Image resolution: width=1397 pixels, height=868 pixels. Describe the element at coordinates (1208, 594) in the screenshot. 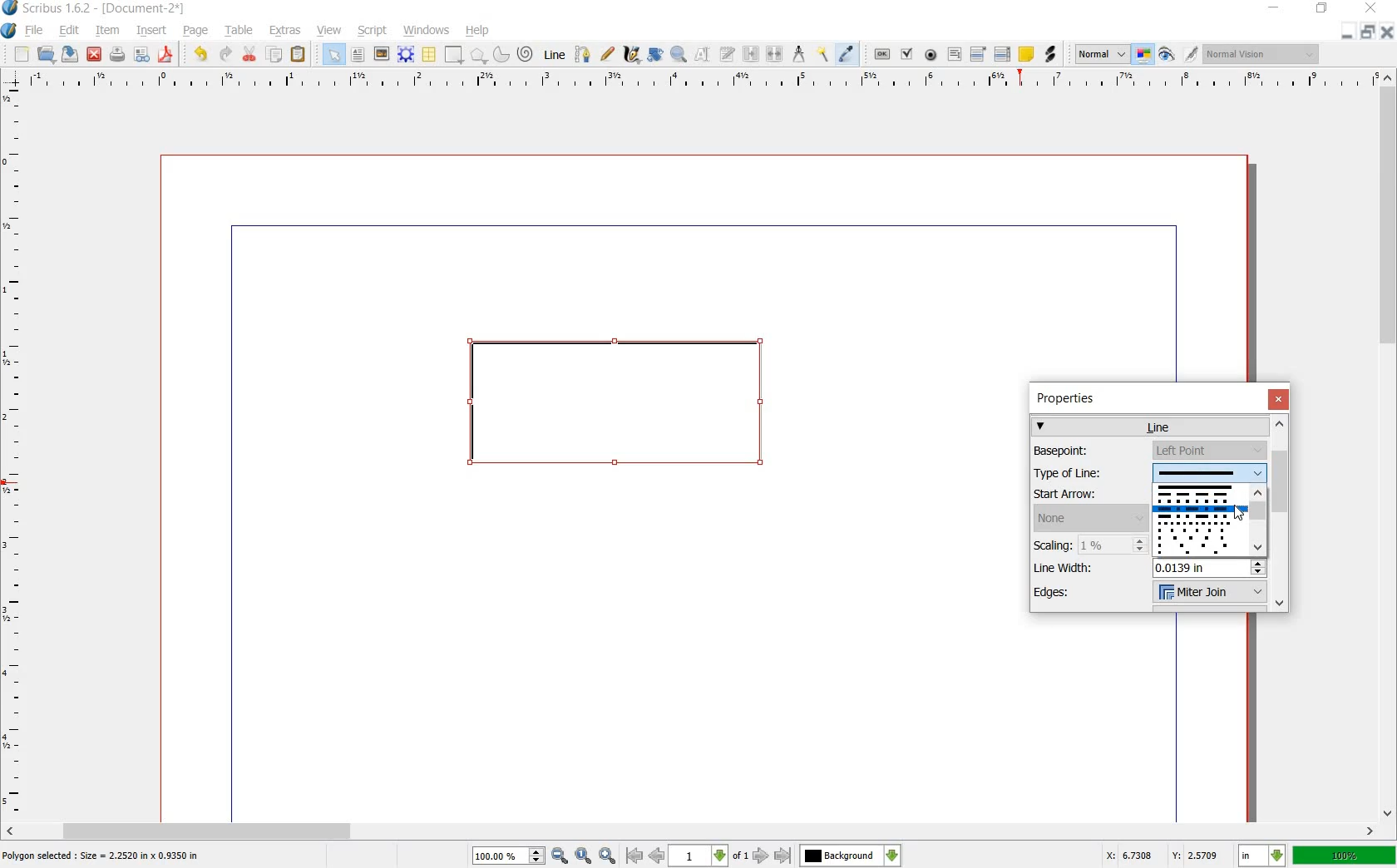

I see `milter join` at that location.